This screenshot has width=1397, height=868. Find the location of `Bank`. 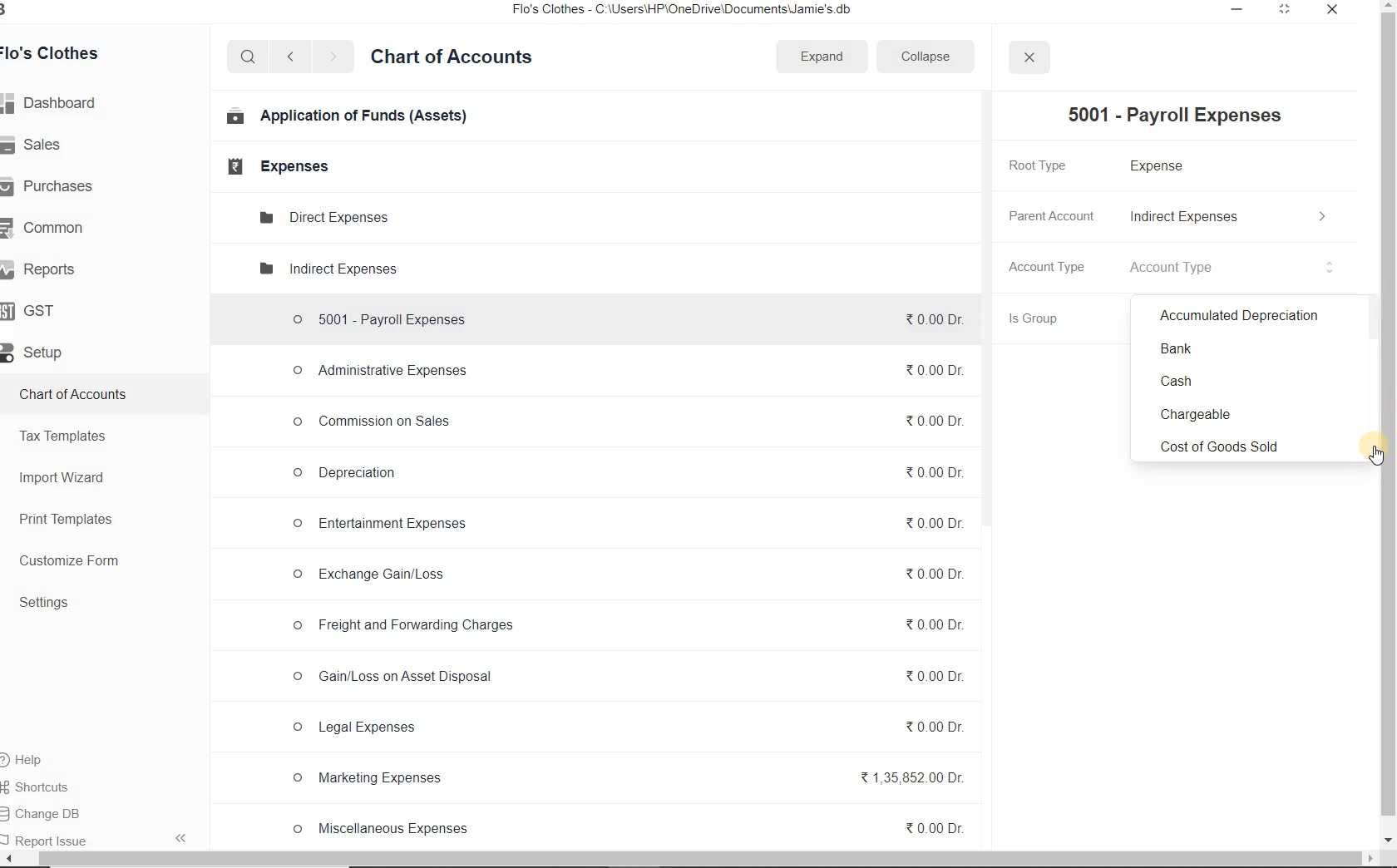

Bank is located at coordinates (1239, 348).